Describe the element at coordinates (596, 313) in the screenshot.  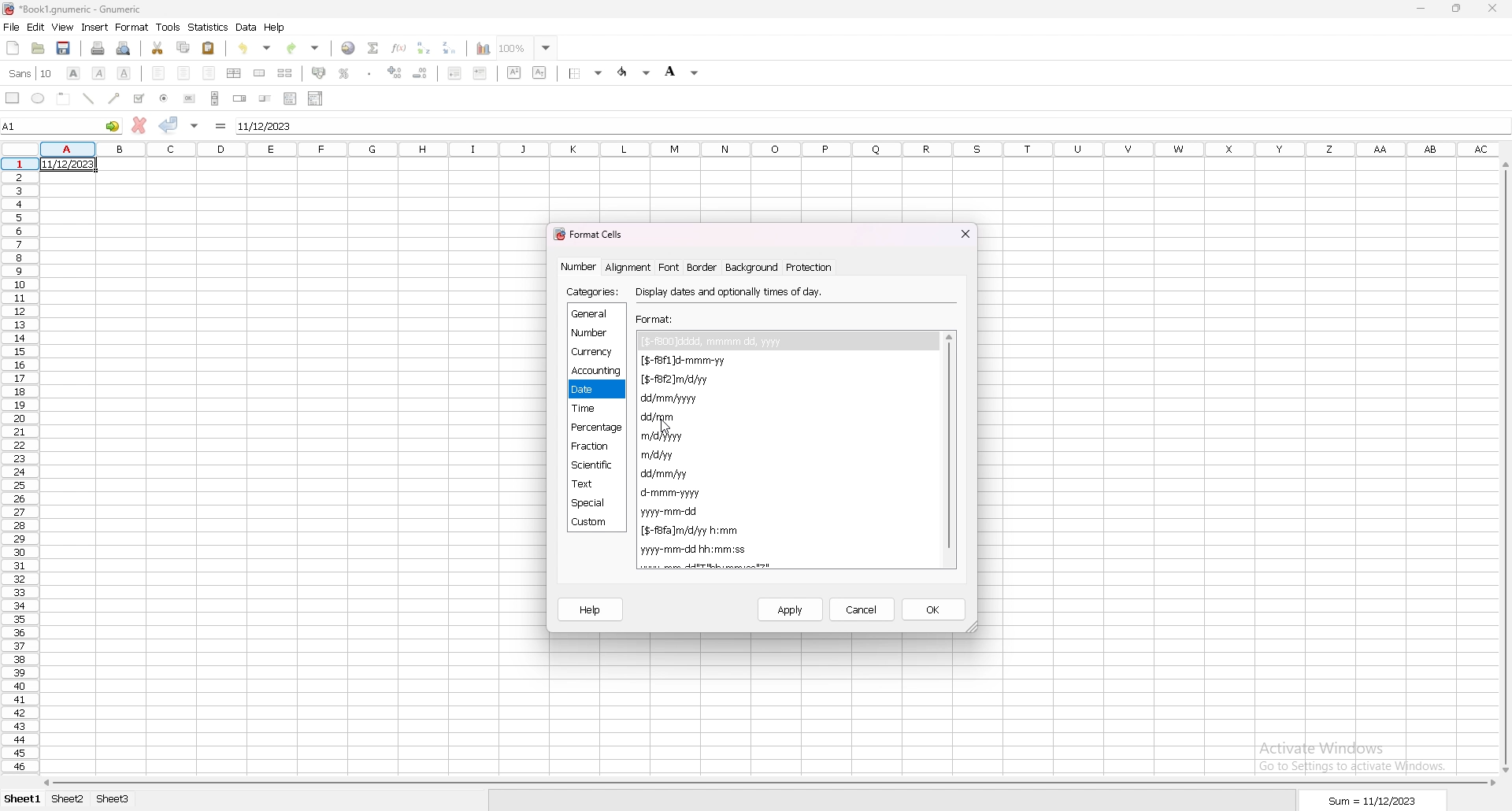
I see `general` at that location.